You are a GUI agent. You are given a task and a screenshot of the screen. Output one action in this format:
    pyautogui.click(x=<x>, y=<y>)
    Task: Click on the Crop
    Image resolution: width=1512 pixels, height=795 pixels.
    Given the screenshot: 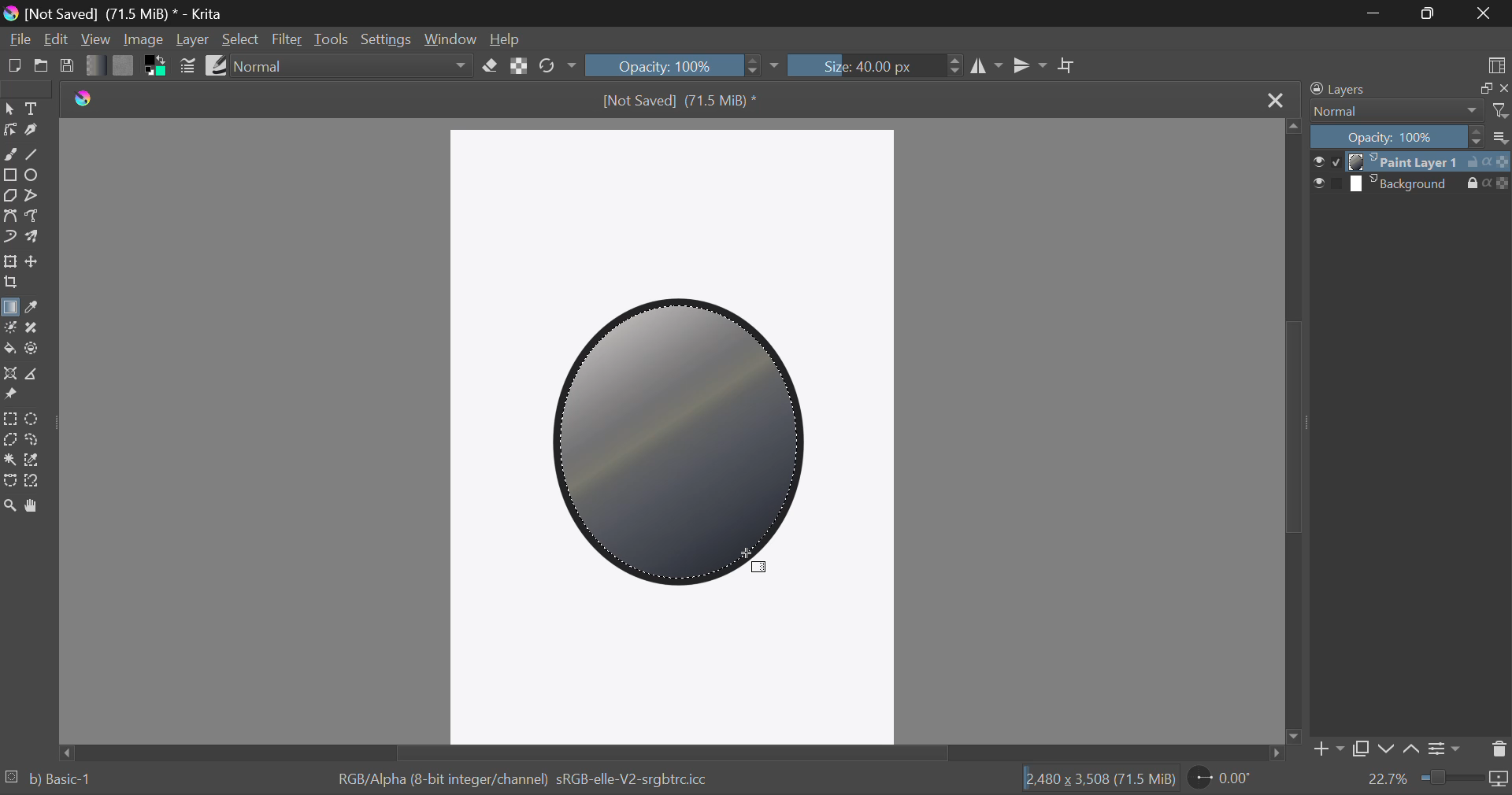 What is the action you would take?
    pyautogui.click(x=1067, y=66)
    